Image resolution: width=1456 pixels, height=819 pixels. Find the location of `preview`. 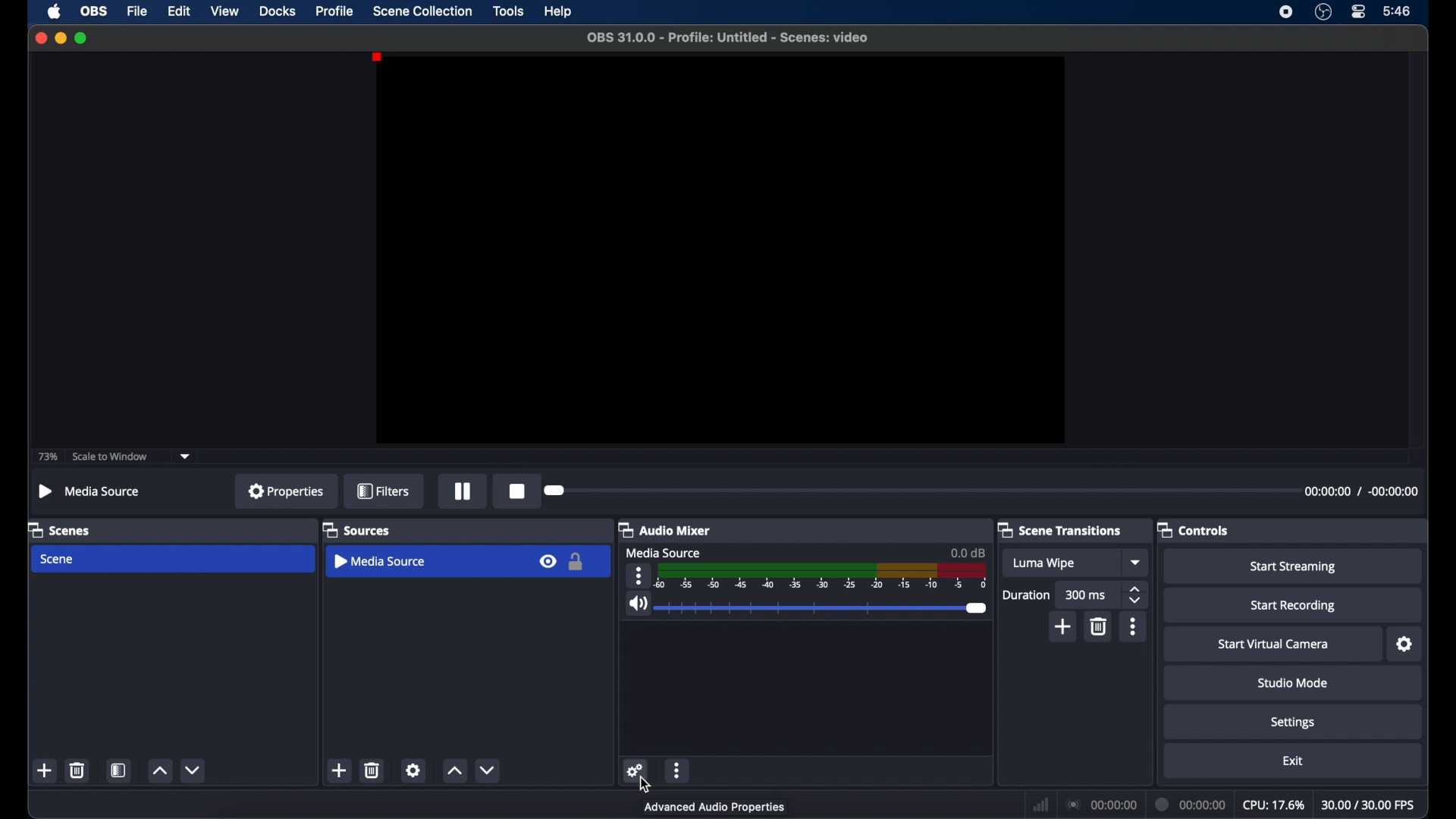

preview is located at coordinates (720, 253).